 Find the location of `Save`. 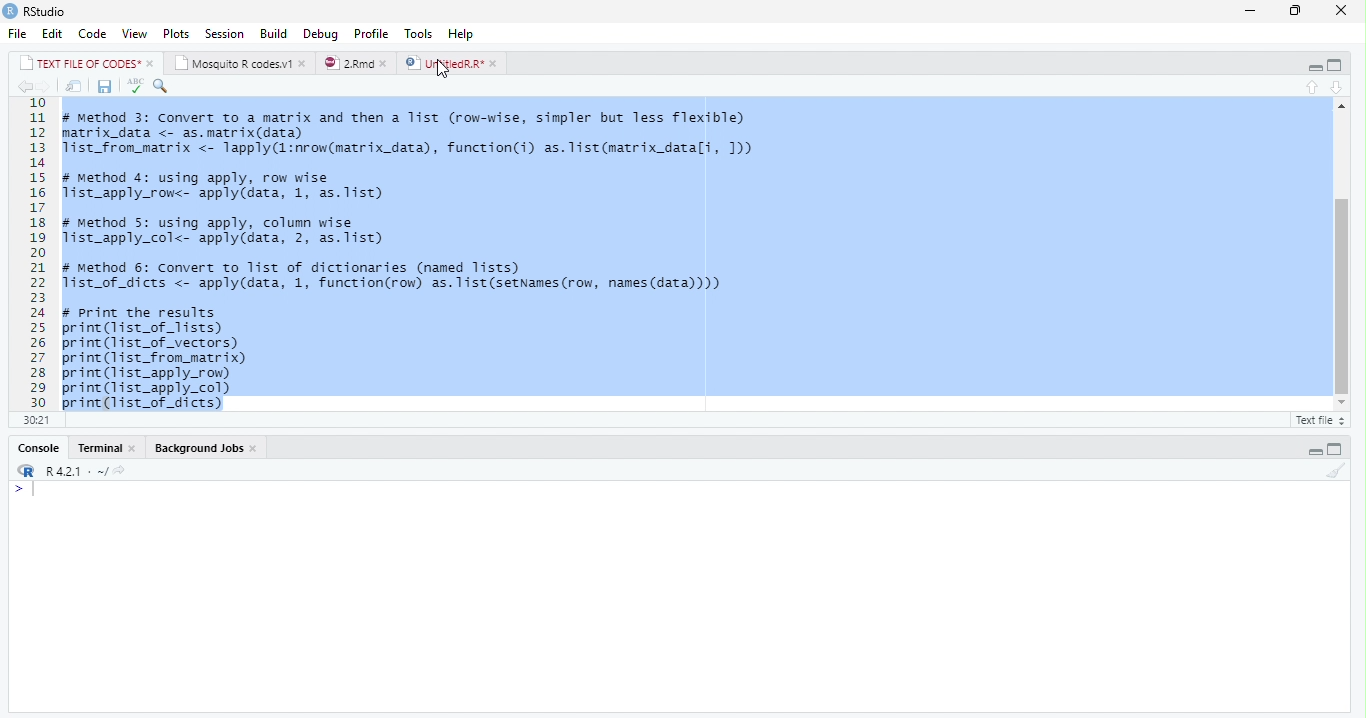

Save is located at coordinates (103, 87).